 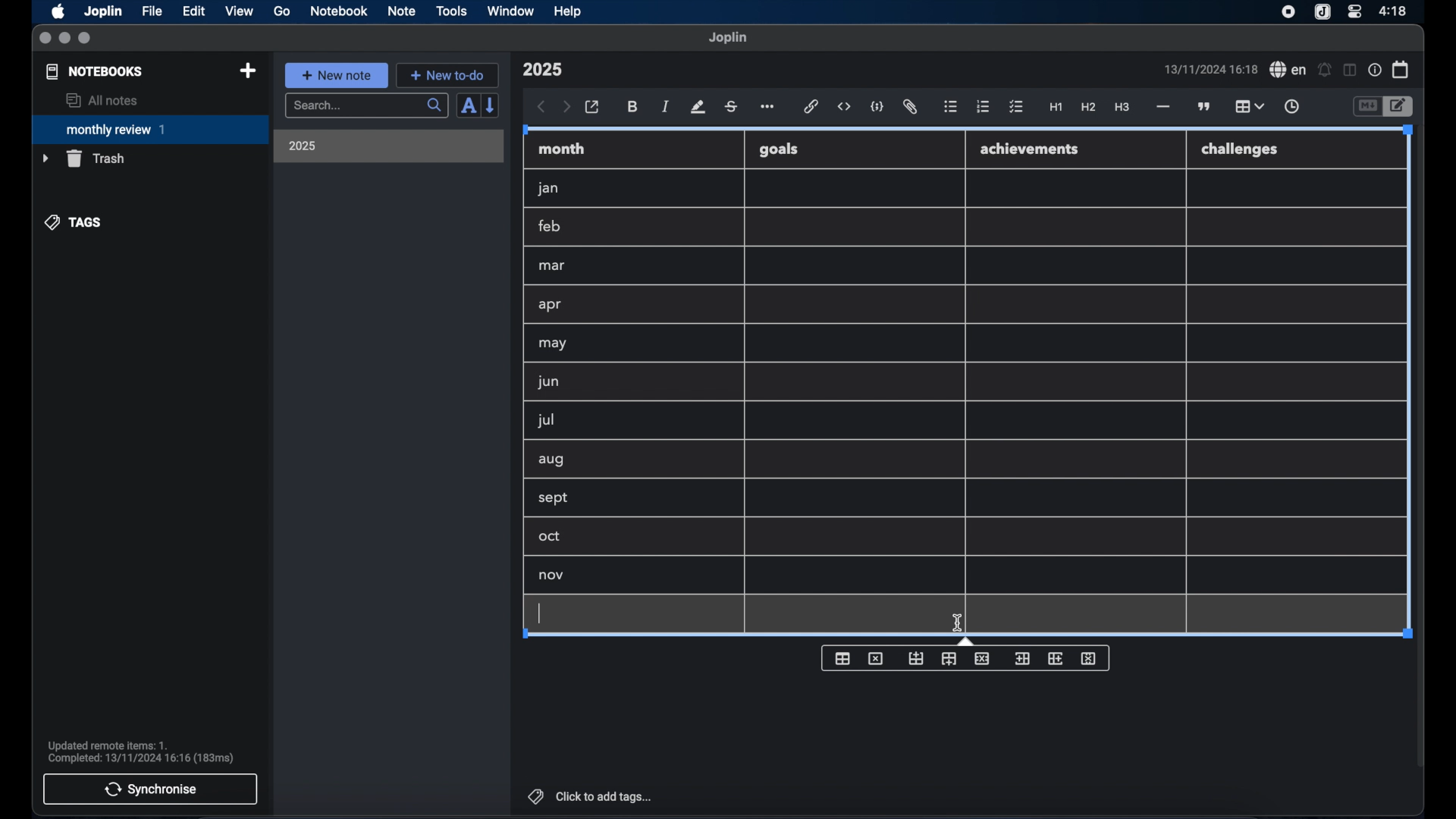 I want to click on insert time, so click(x=1291, y=107).